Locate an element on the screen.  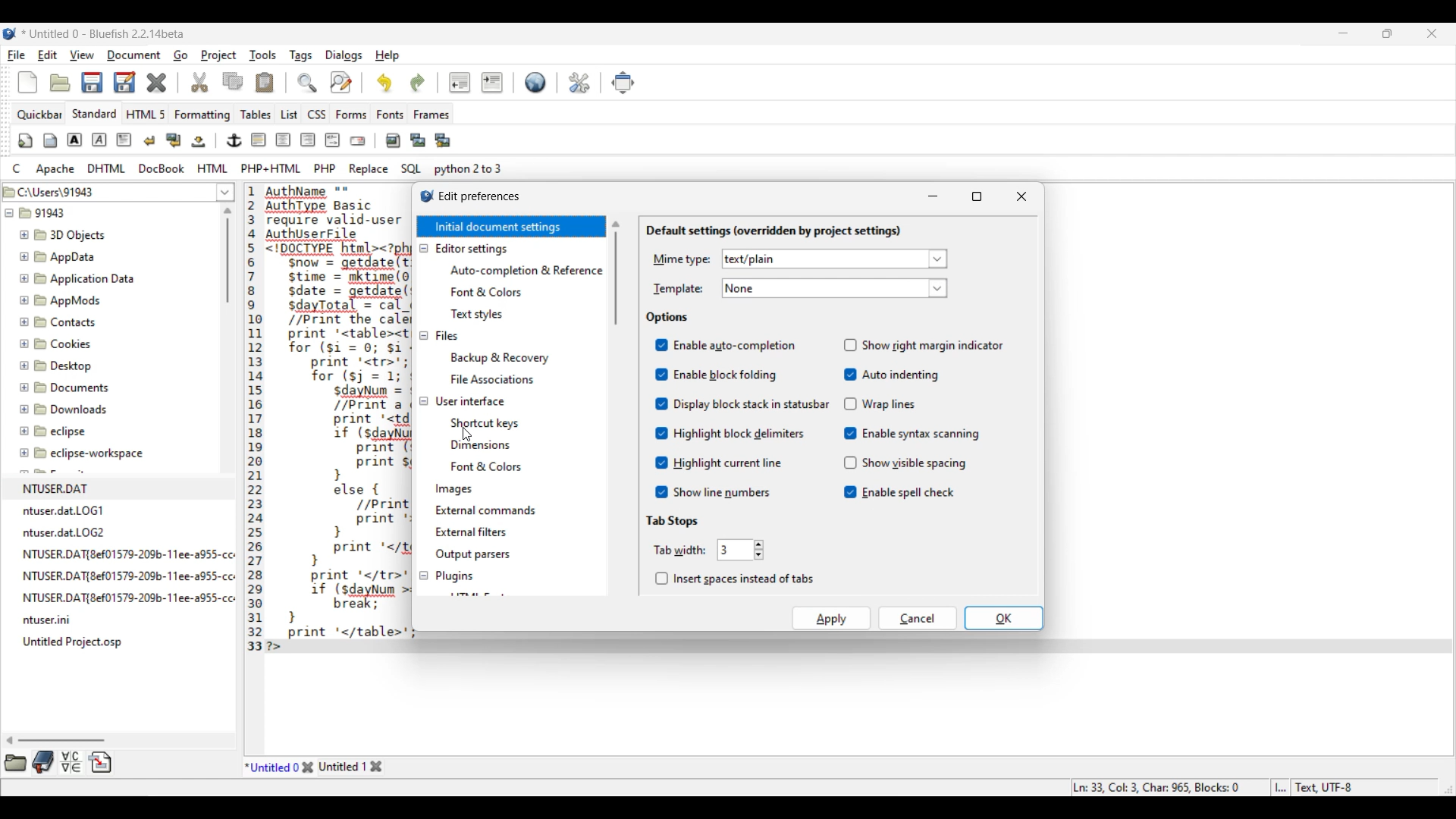
Documents is located at coordinates (68, 388).